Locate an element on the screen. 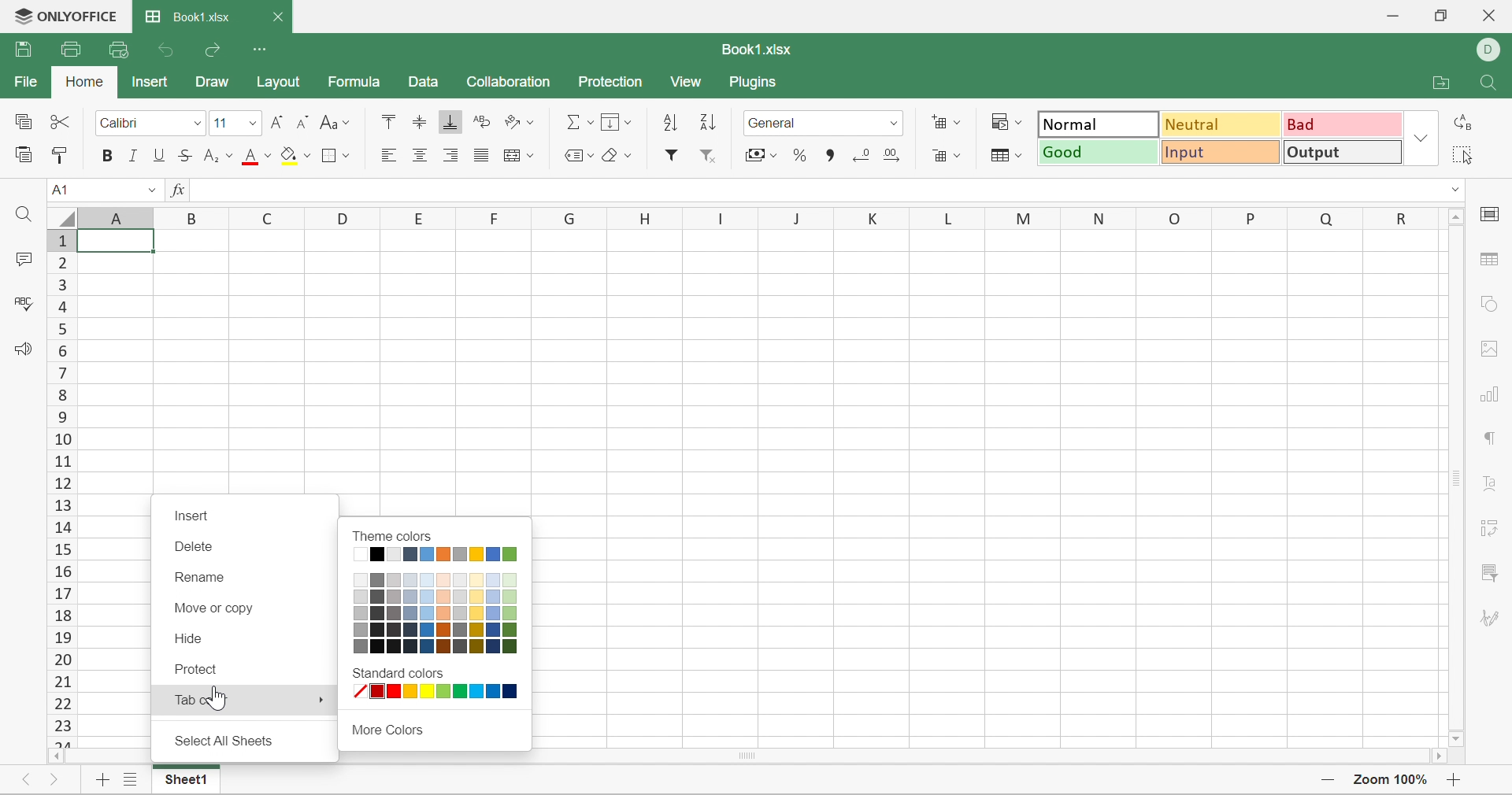 The height and width of the screenshot is (795, 1512). I is located at coordinates (721, 216).